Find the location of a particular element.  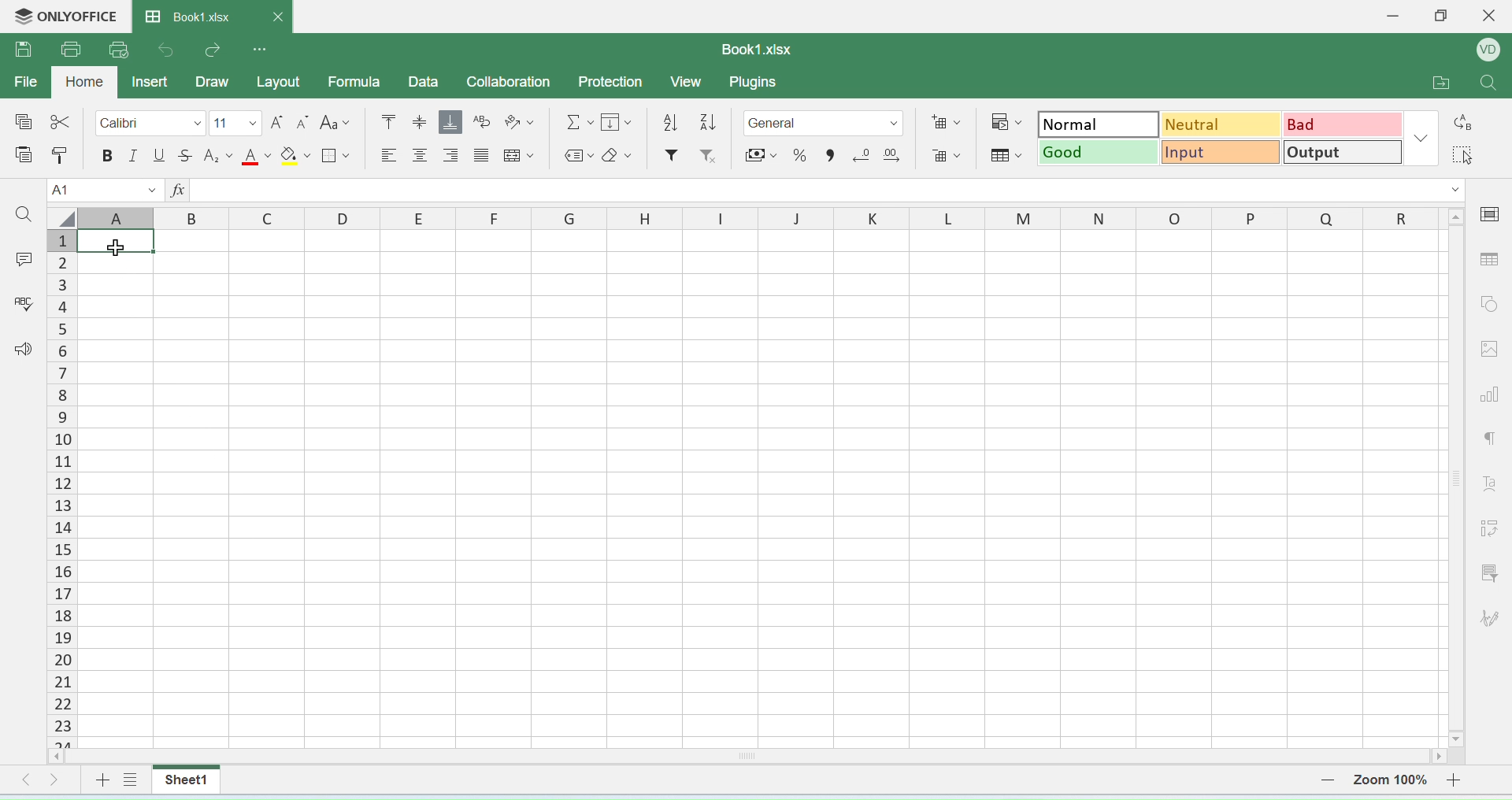

increase font is located at coordinates (279, 123).